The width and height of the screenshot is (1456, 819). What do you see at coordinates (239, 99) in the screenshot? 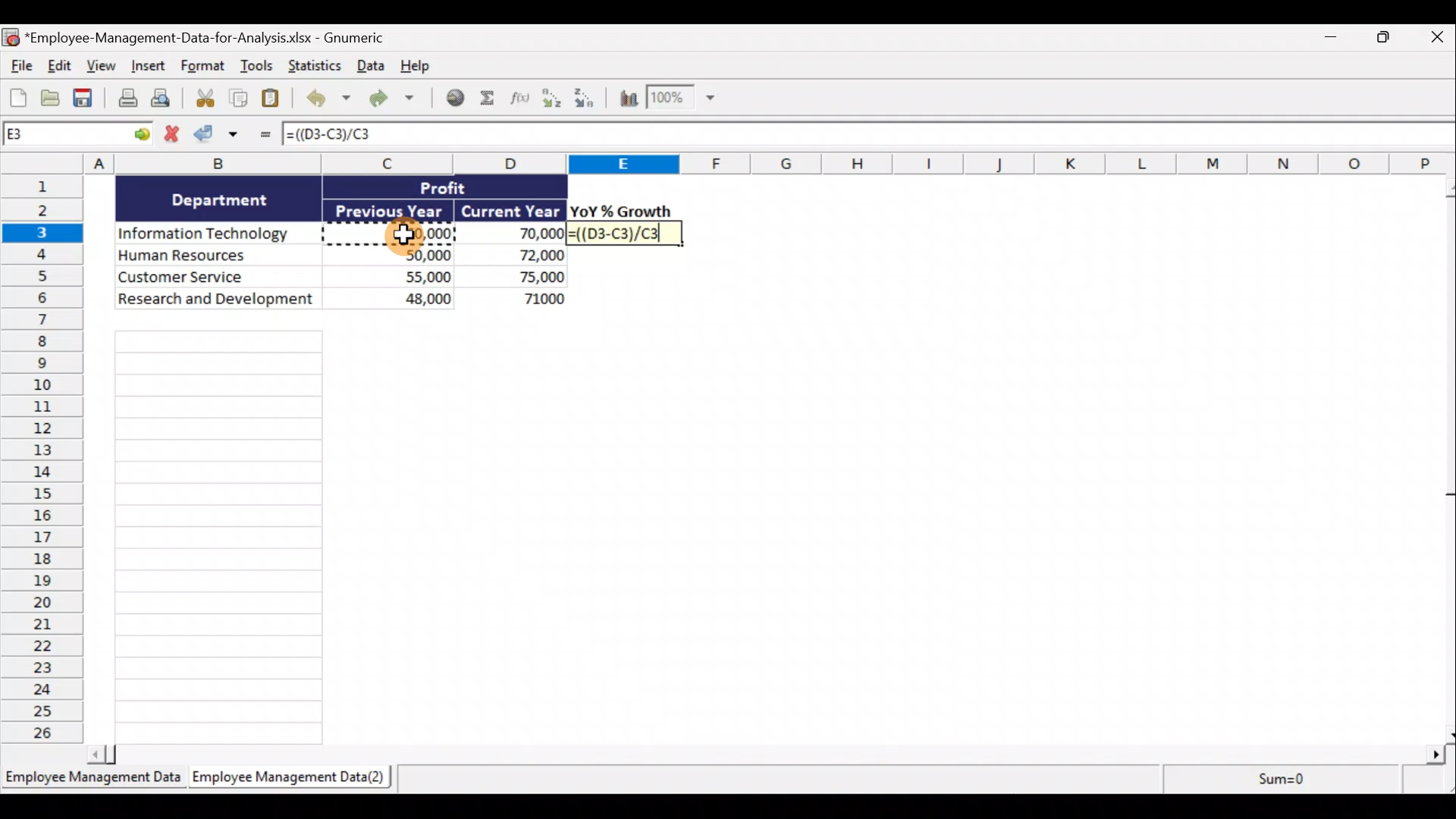
I see `Copy selection` at bounding box center [239, 99].